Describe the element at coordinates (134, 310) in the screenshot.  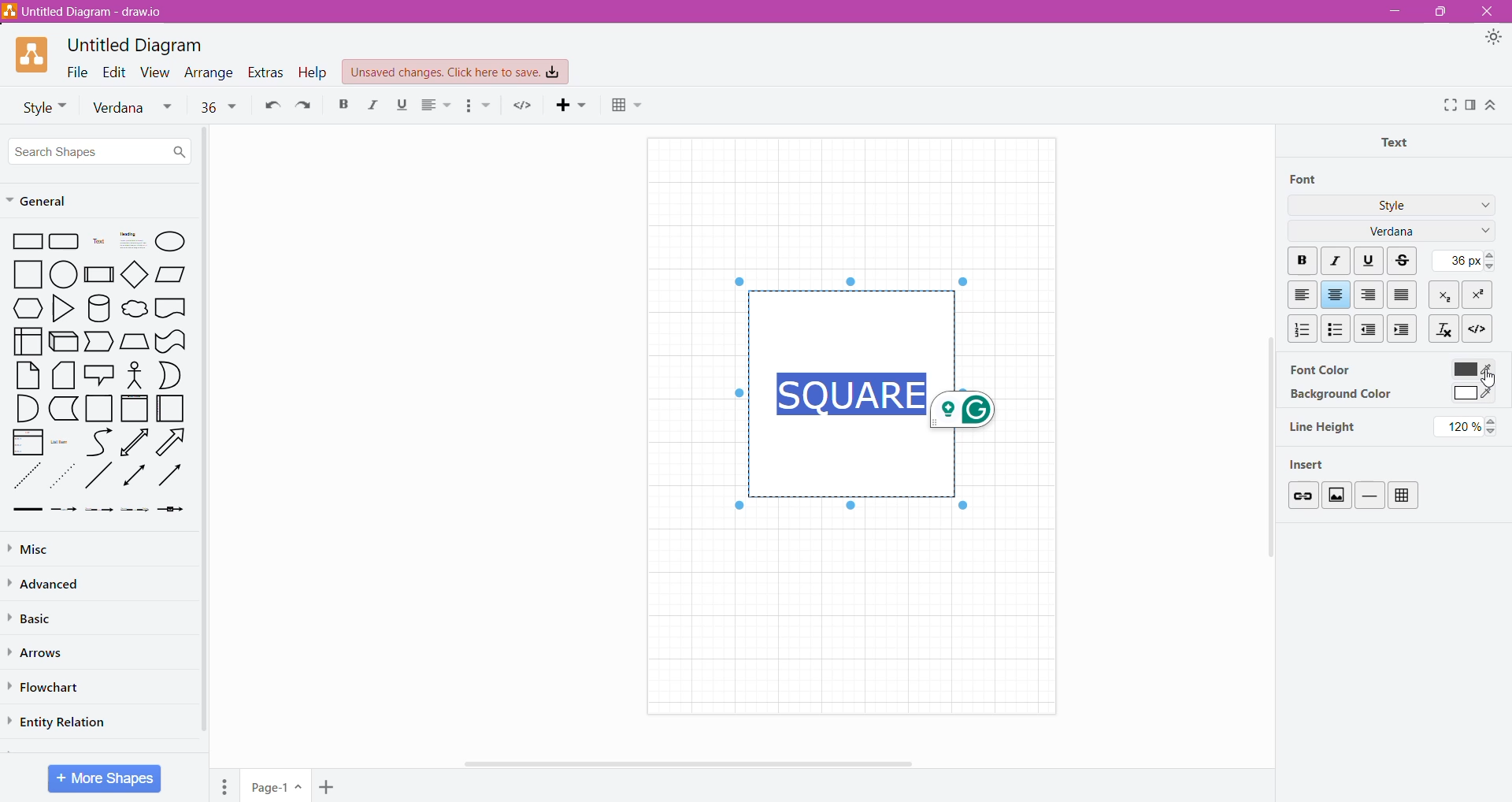
I see `cloud` at that location.